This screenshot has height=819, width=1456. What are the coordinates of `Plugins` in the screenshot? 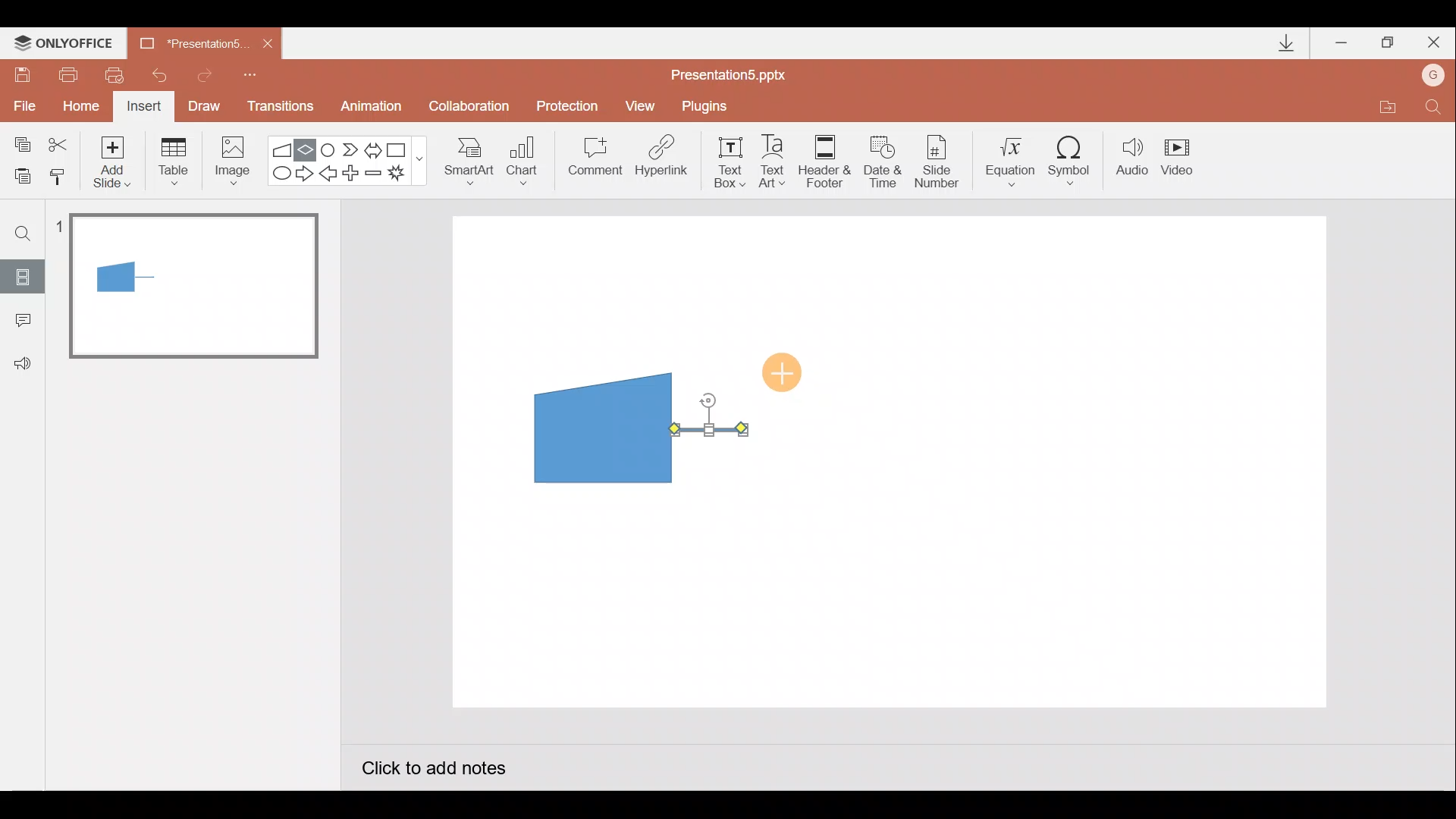 It's located at (708, 106).